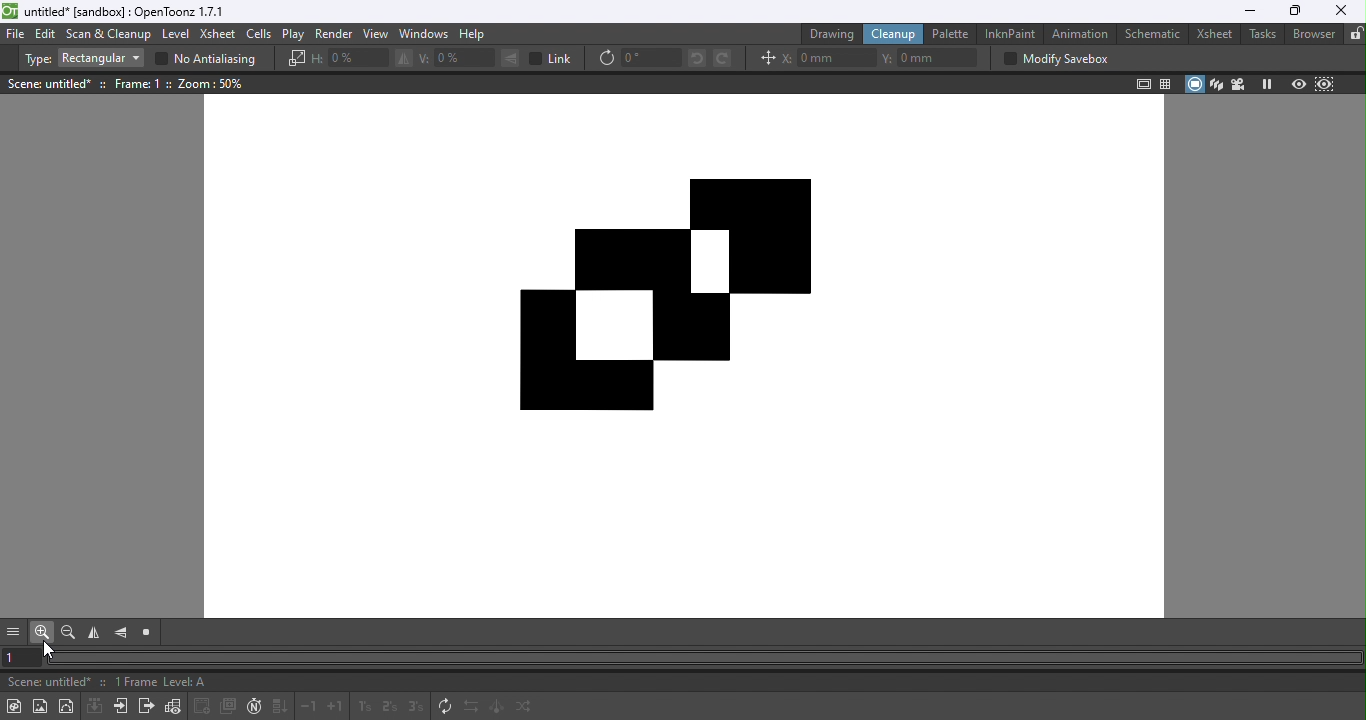 The image size is (1366, 720). What do you see at coordinates (688, 344) in the screenshot?
I see `Canvas` at bounding box center [688, 344].